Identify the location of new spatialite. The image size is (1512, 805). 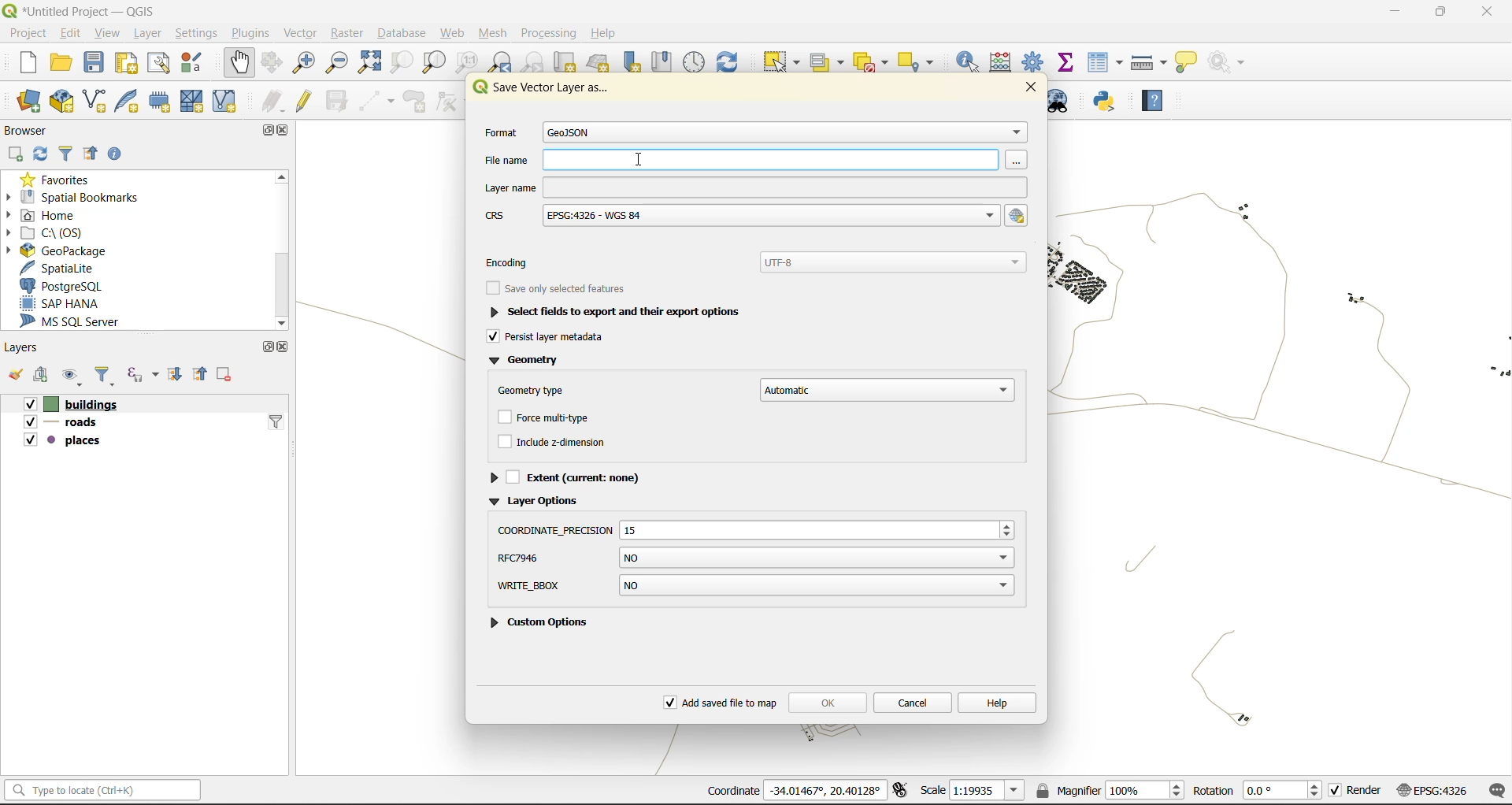
(131, 99).